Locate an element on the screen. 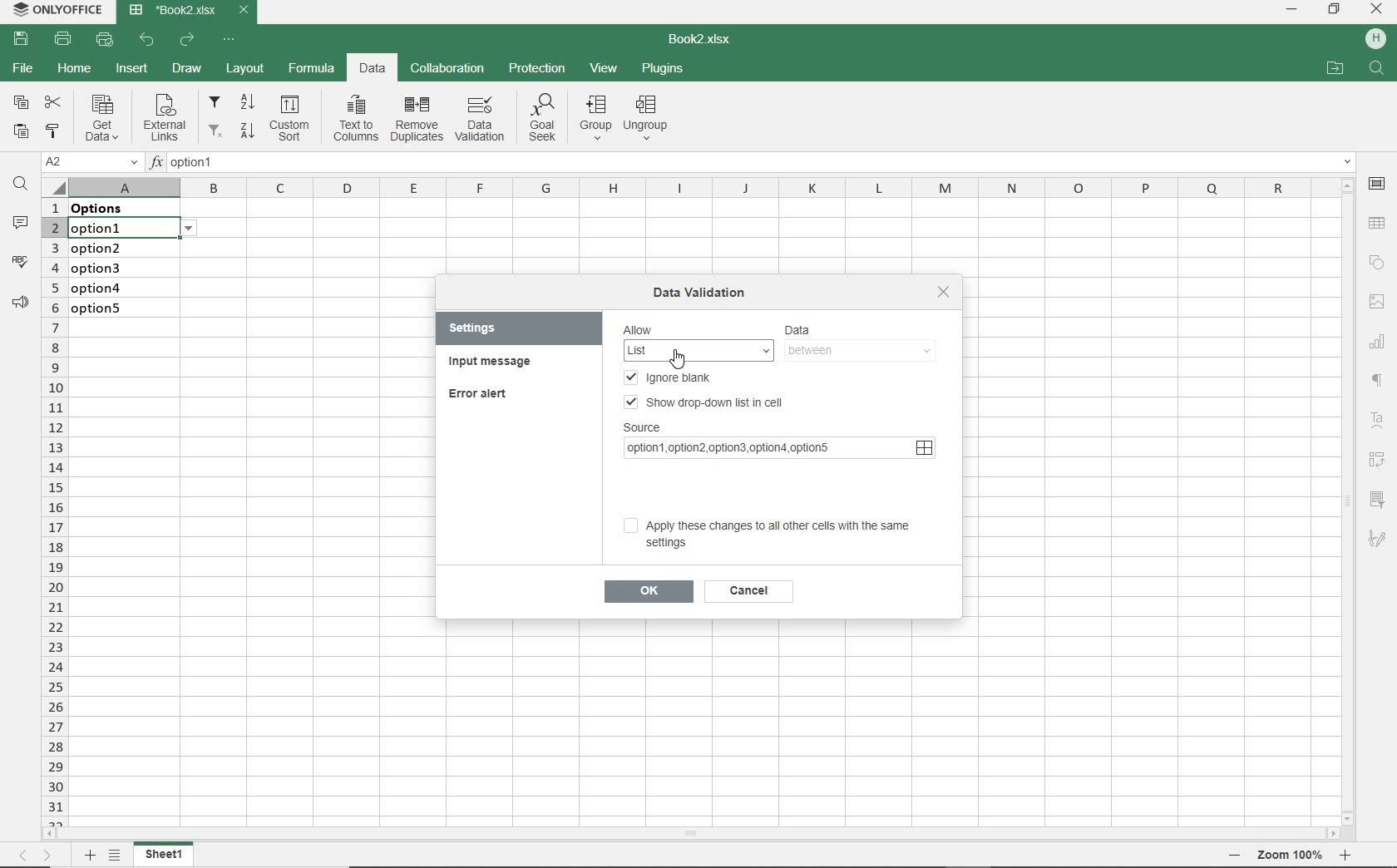  INSERT FUNCTION is located at coordinates (752, 165).